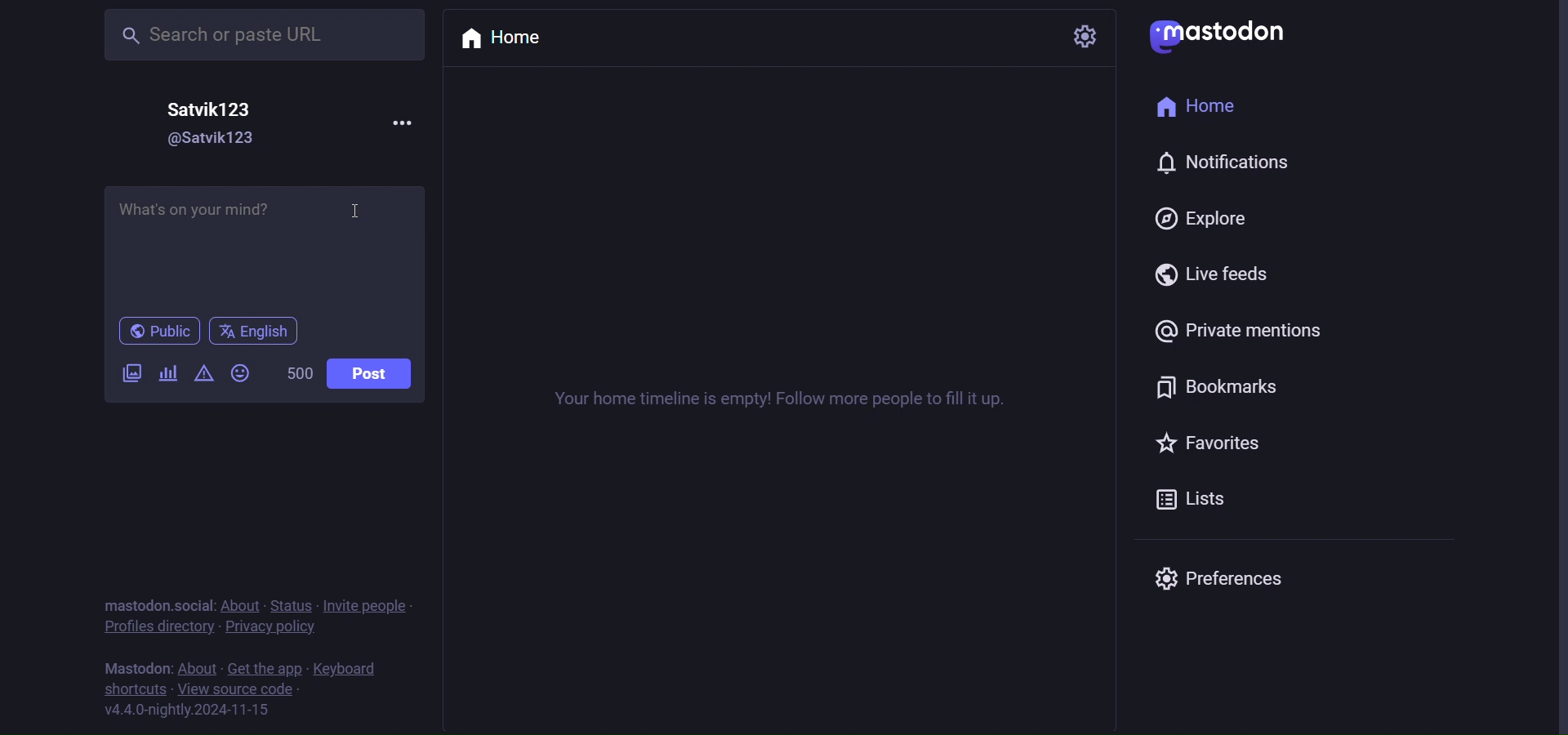  Describe the element at coordinates (155, 628) in the screenshot. I see `perfect directory` at that location.